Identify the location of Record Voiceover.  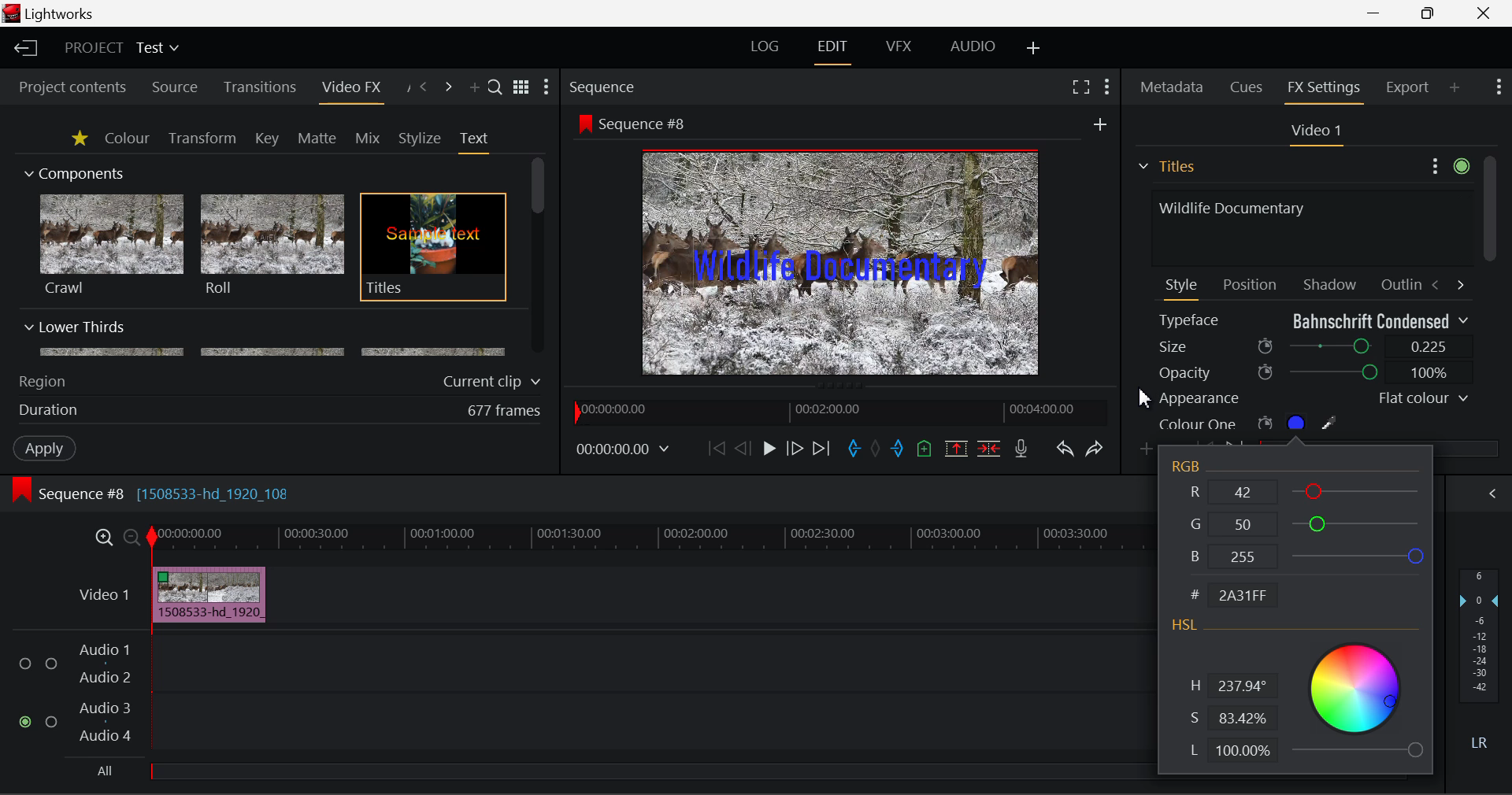
(1021, 452).